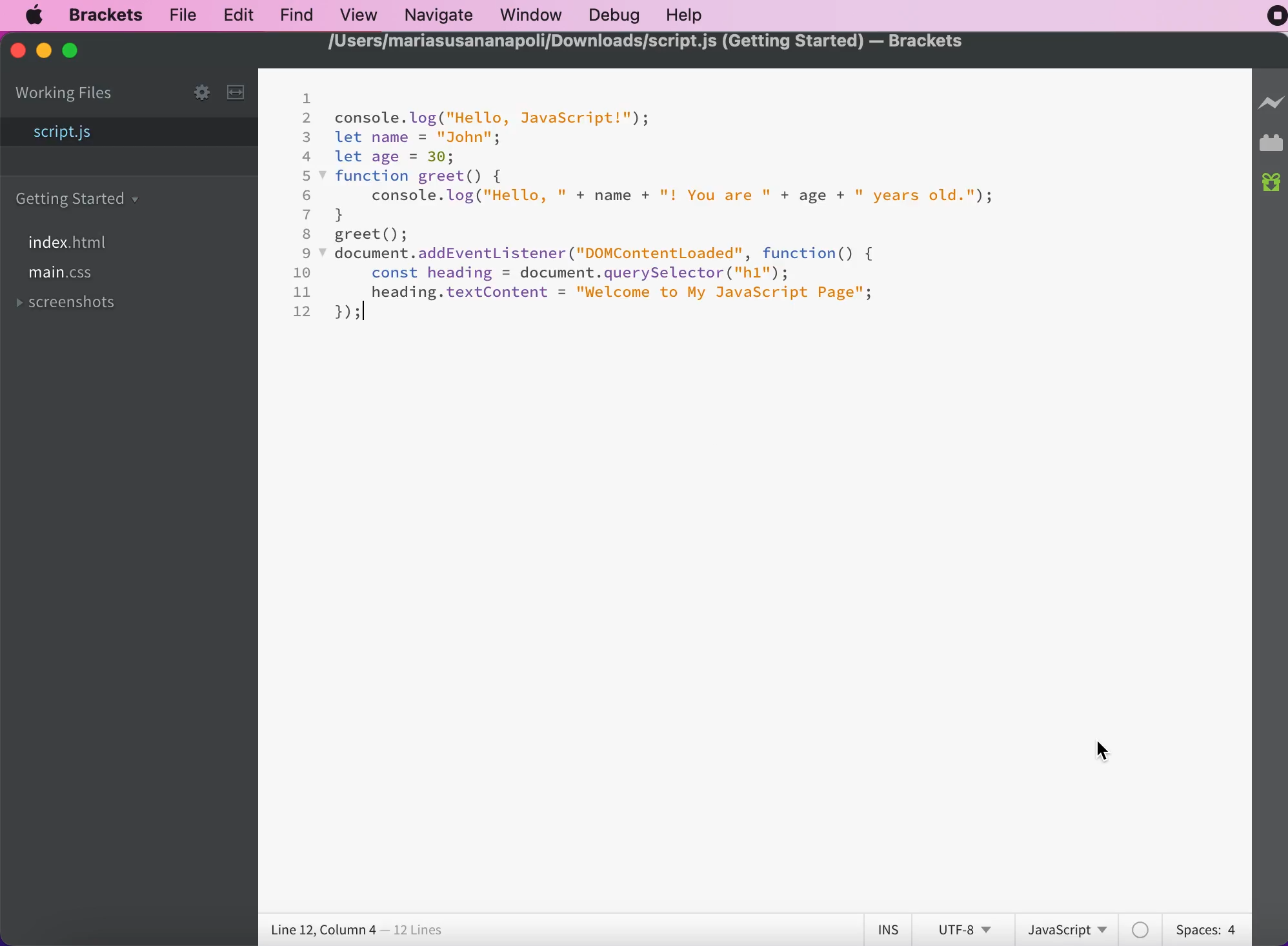 This screenshot has width=1288, height=946. Describe the element at coordinates (687, 15) in the screenshot. I see `help` at that location.